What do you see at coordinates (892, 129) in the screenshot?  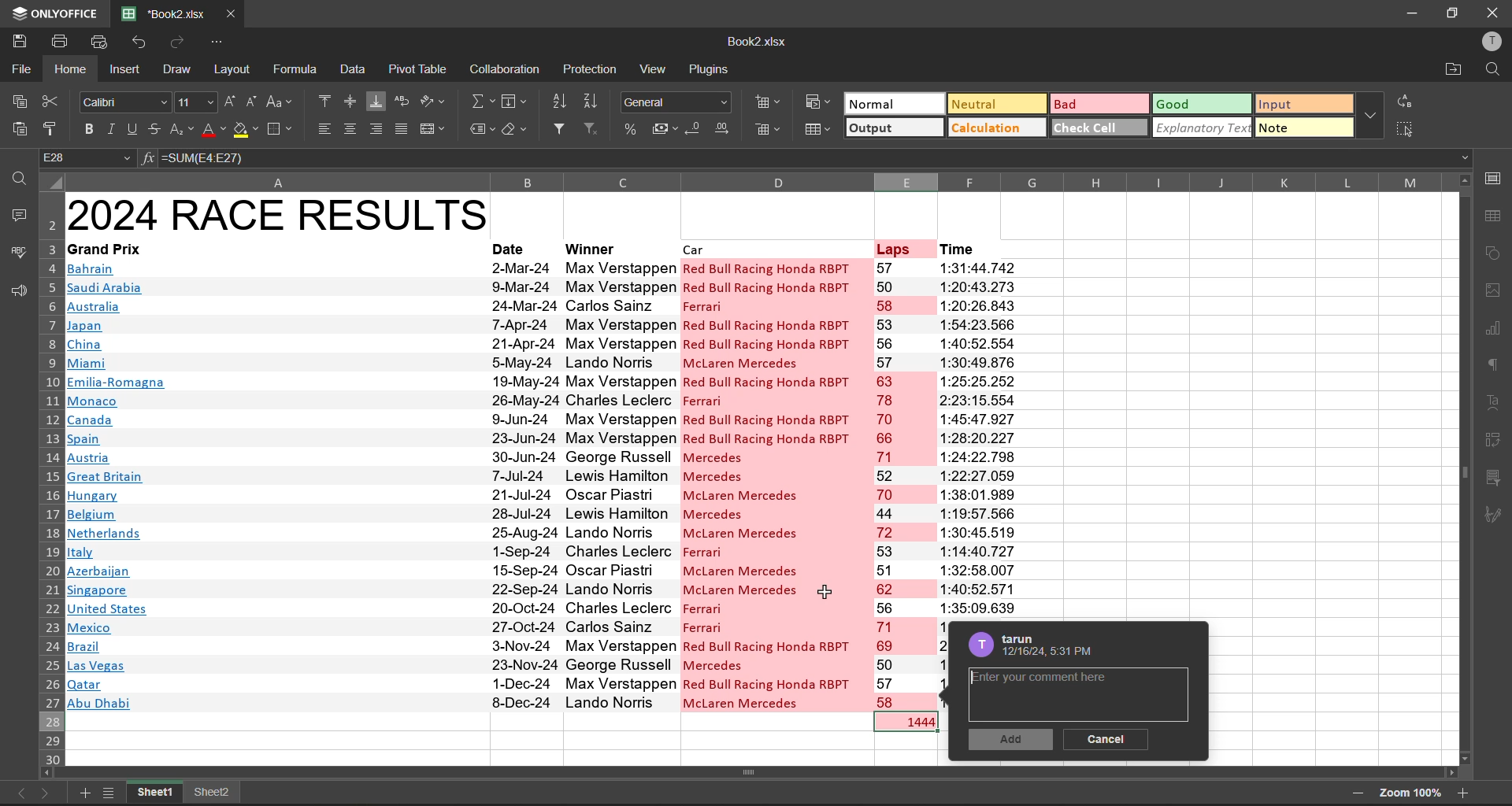 I see `output` at bounding box center [892, 129].